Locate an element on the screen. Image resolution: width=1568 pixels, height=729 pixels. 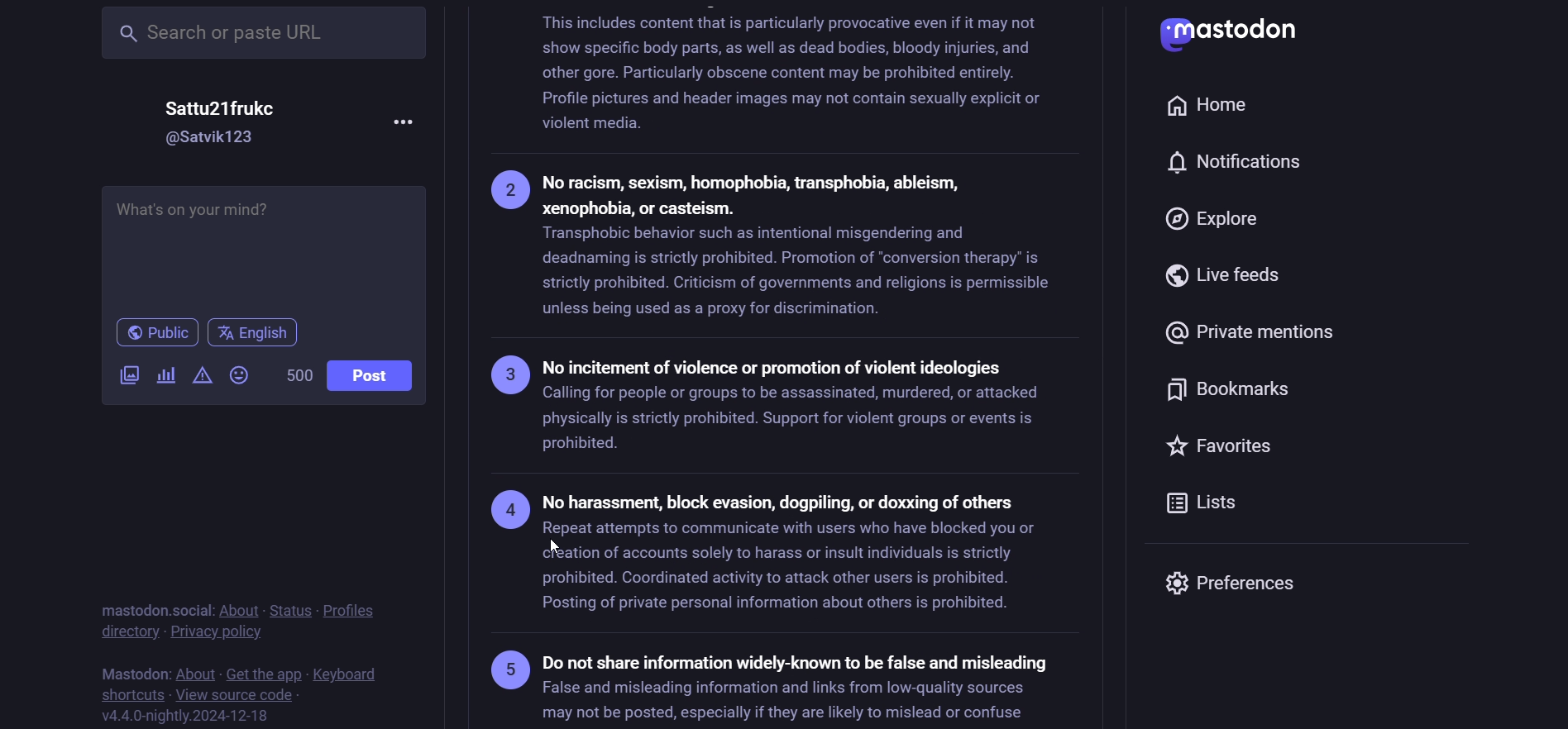
id is located at coordinates (213, 138).